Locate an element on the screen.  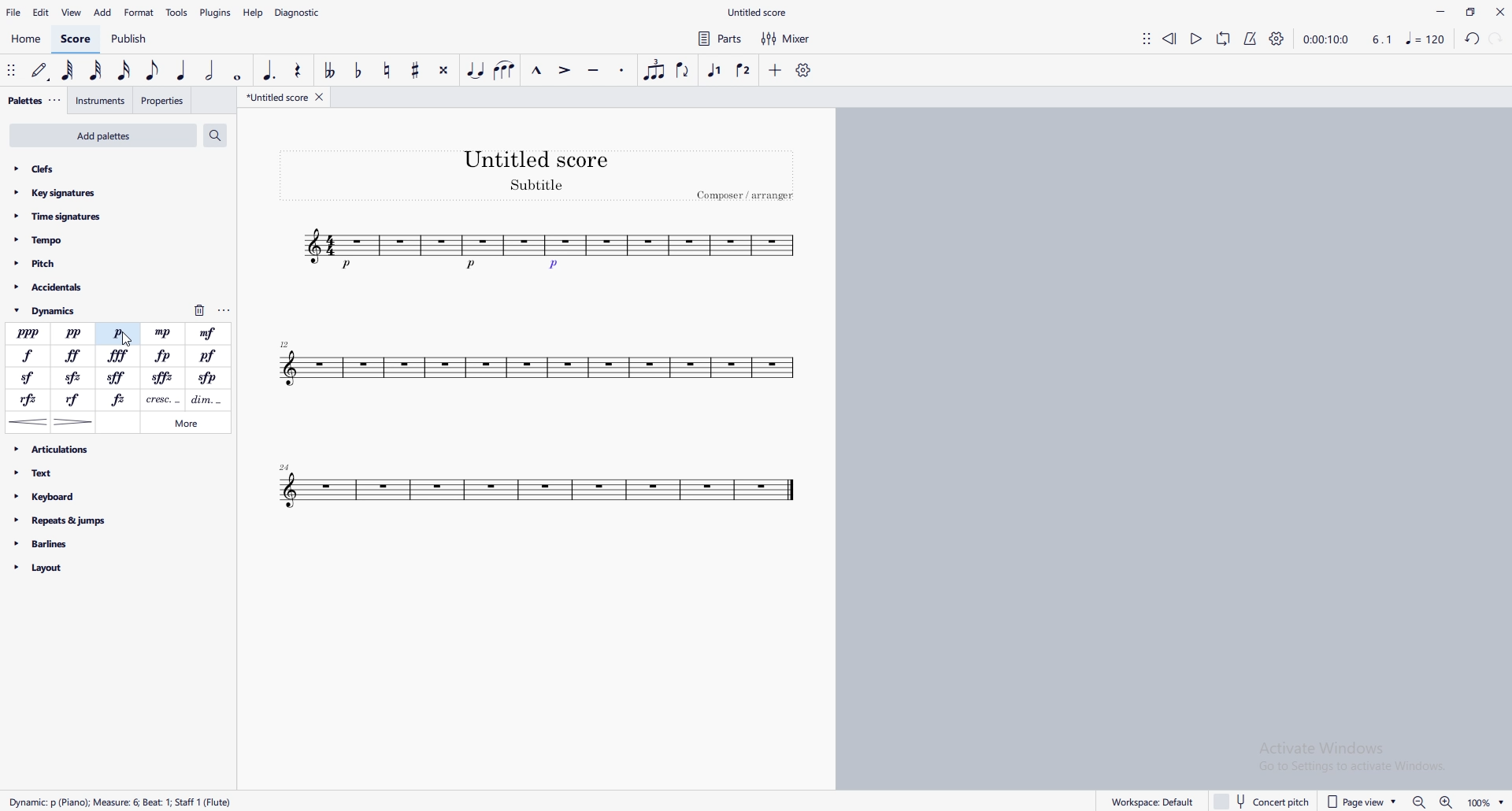
score is located at coordinates (78, 39).